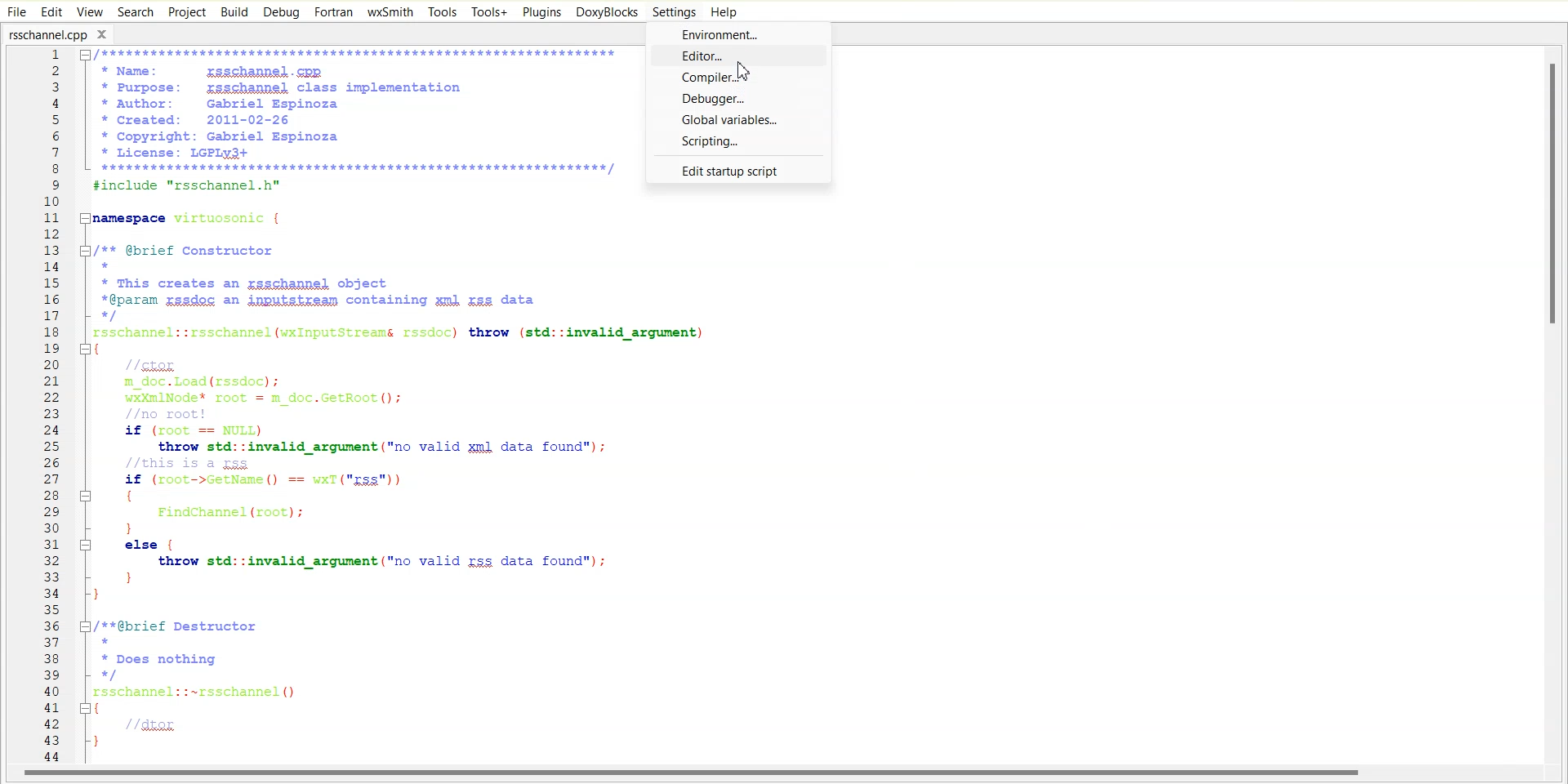 Image resolution: width=1568 pixels, height=784 pixels. Describe the element at coordinates (738, 141) in the screenshot. I see `Scripting` at that location.